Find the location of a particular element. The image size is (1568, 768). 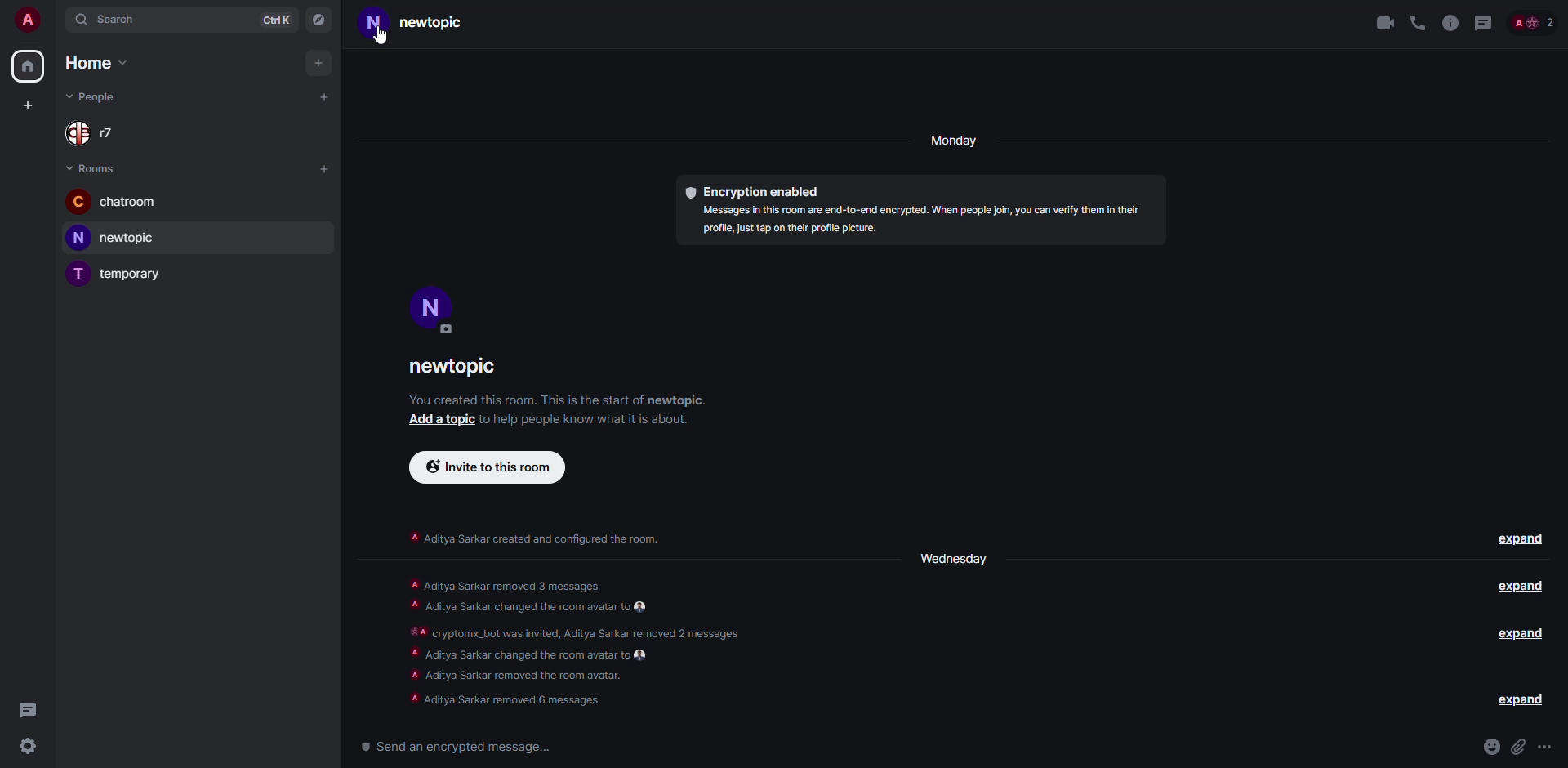

add is located at coordinates (28, 104).